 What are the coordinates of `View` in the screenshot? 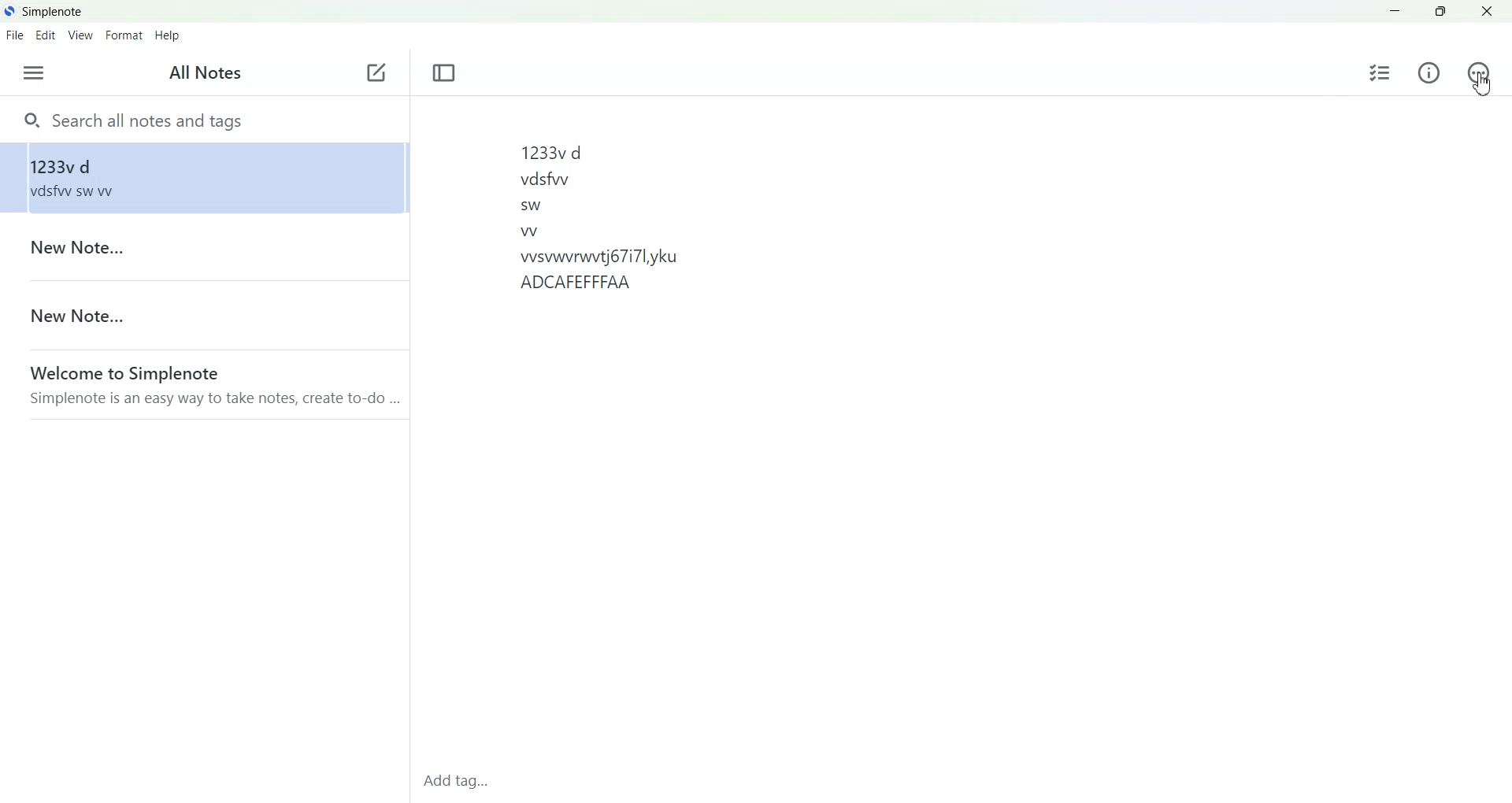 It's located at (81, 35).